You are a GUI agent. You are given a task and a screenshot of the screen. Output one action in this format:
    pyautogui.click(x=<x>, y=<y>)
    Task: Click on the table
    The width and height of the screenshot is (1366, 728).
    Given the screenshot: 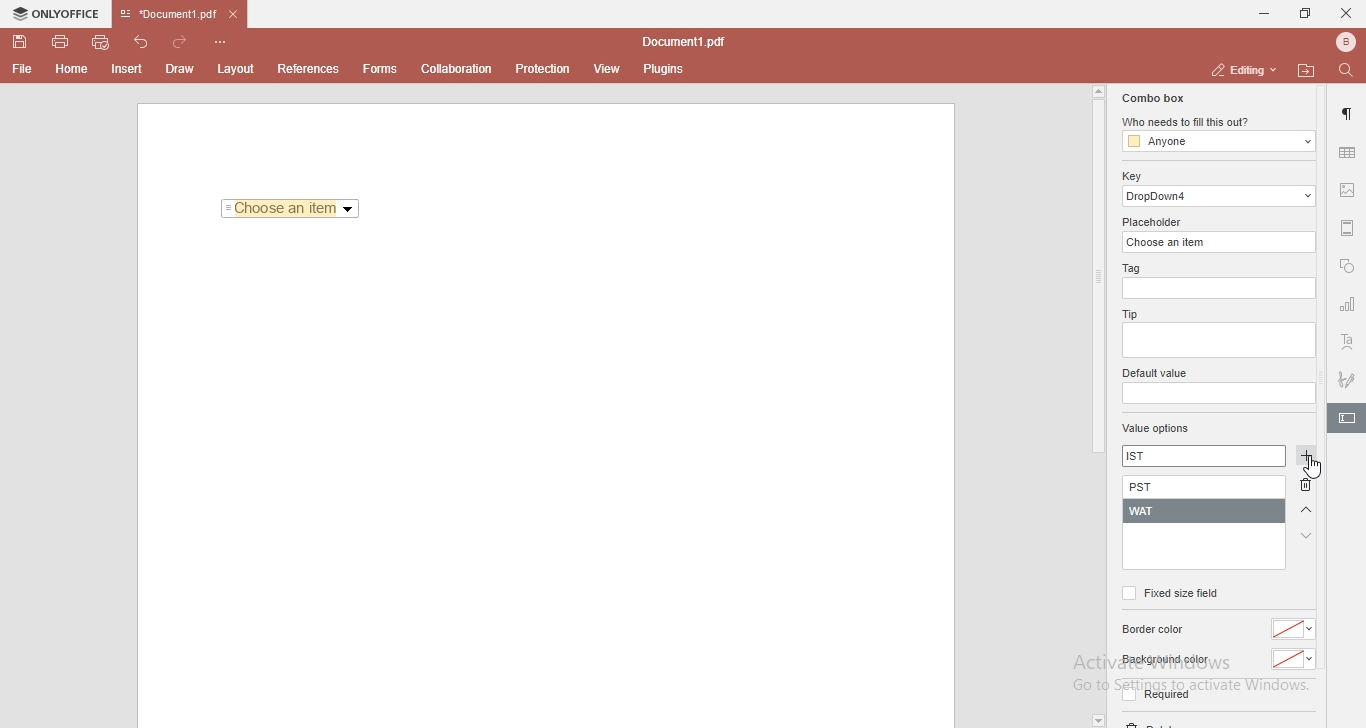 What is the action you would take?
    pyautogui.click(x=1347, y=152)
    